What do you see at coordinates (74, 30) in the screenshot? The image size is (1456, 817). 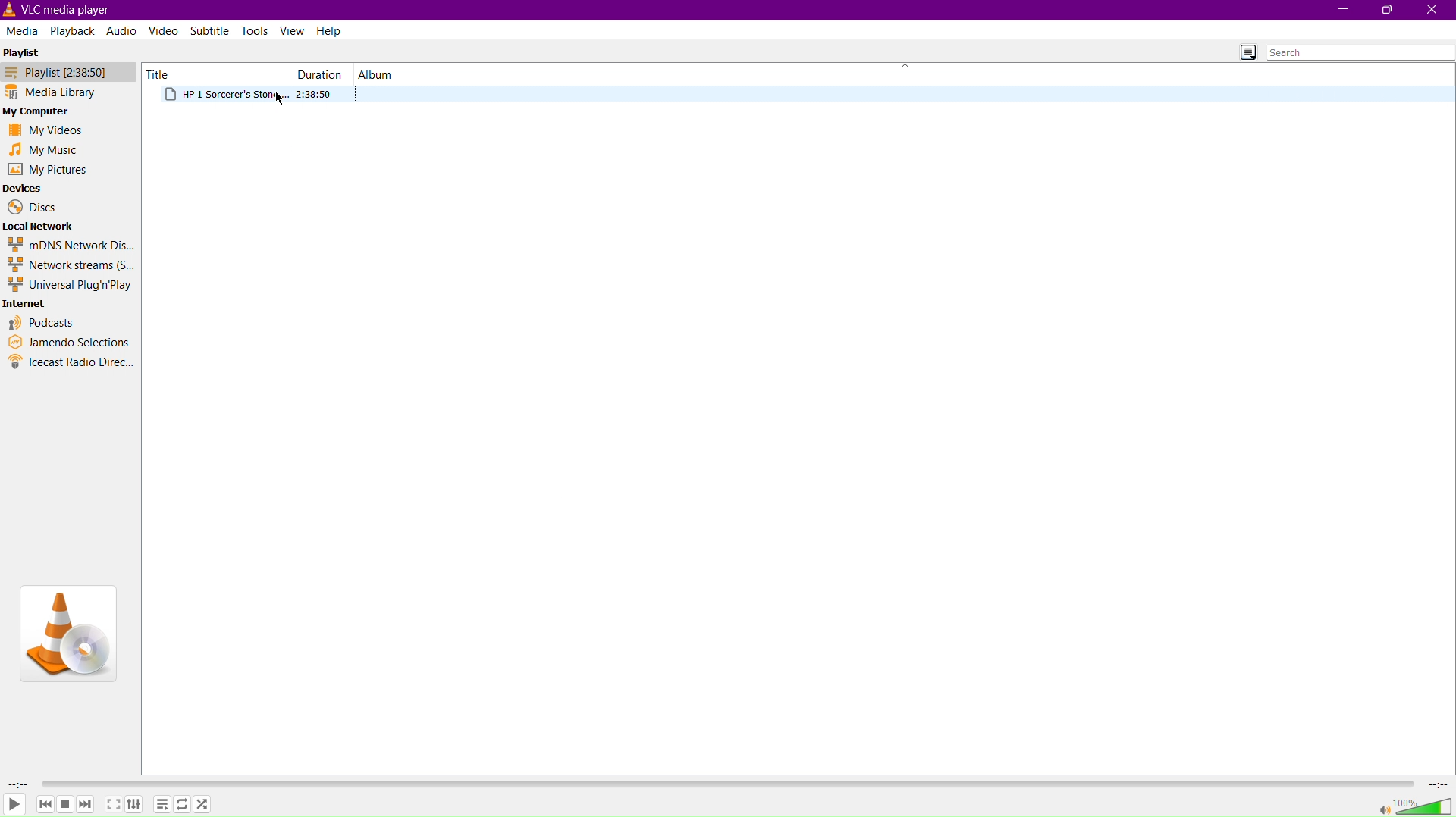 I see `Playback` at bounding box center [74, 30].